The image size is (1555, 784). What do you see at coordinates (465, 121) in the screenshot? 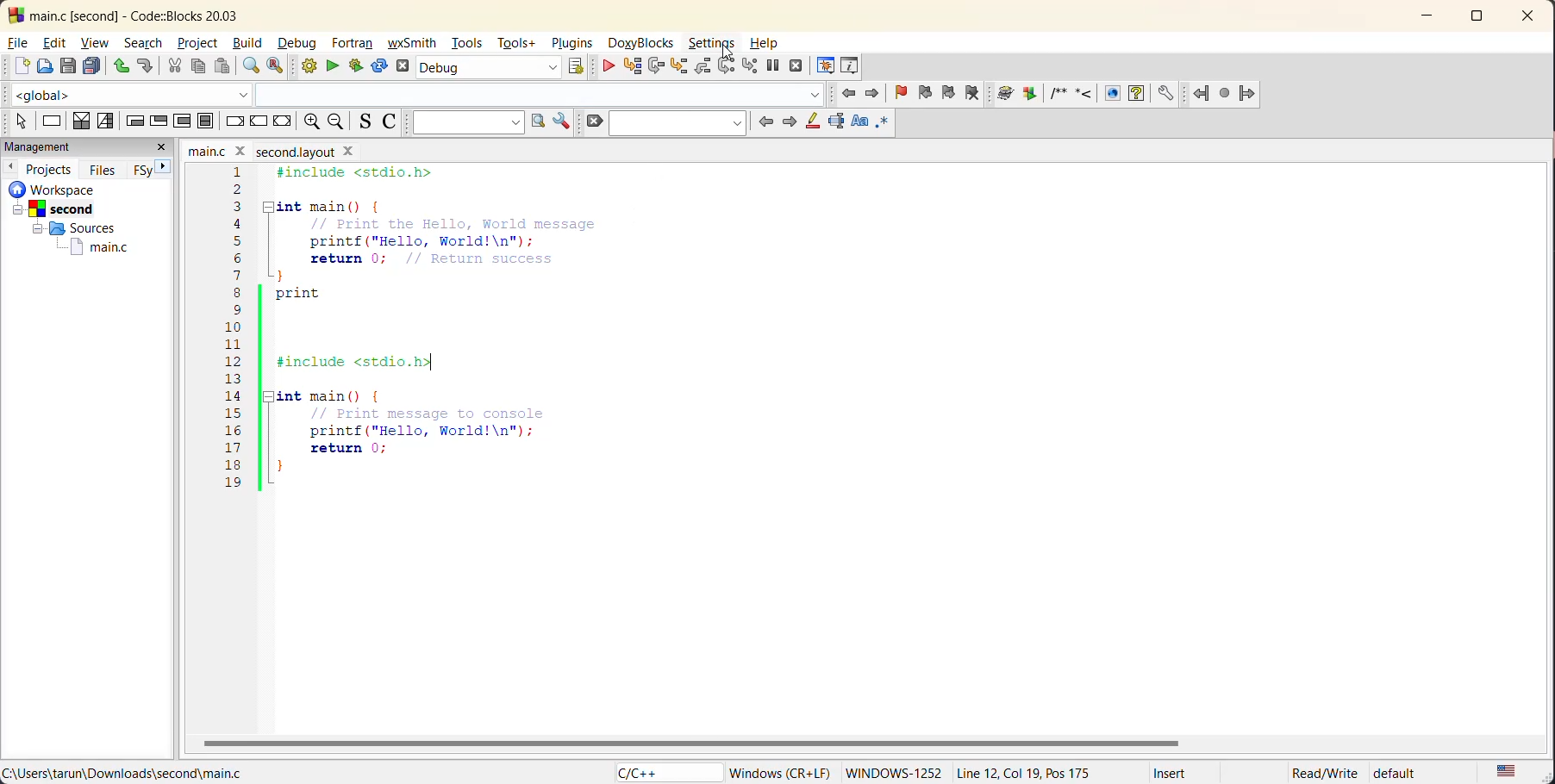
I see `text to search` at bounding box center [465, 121].